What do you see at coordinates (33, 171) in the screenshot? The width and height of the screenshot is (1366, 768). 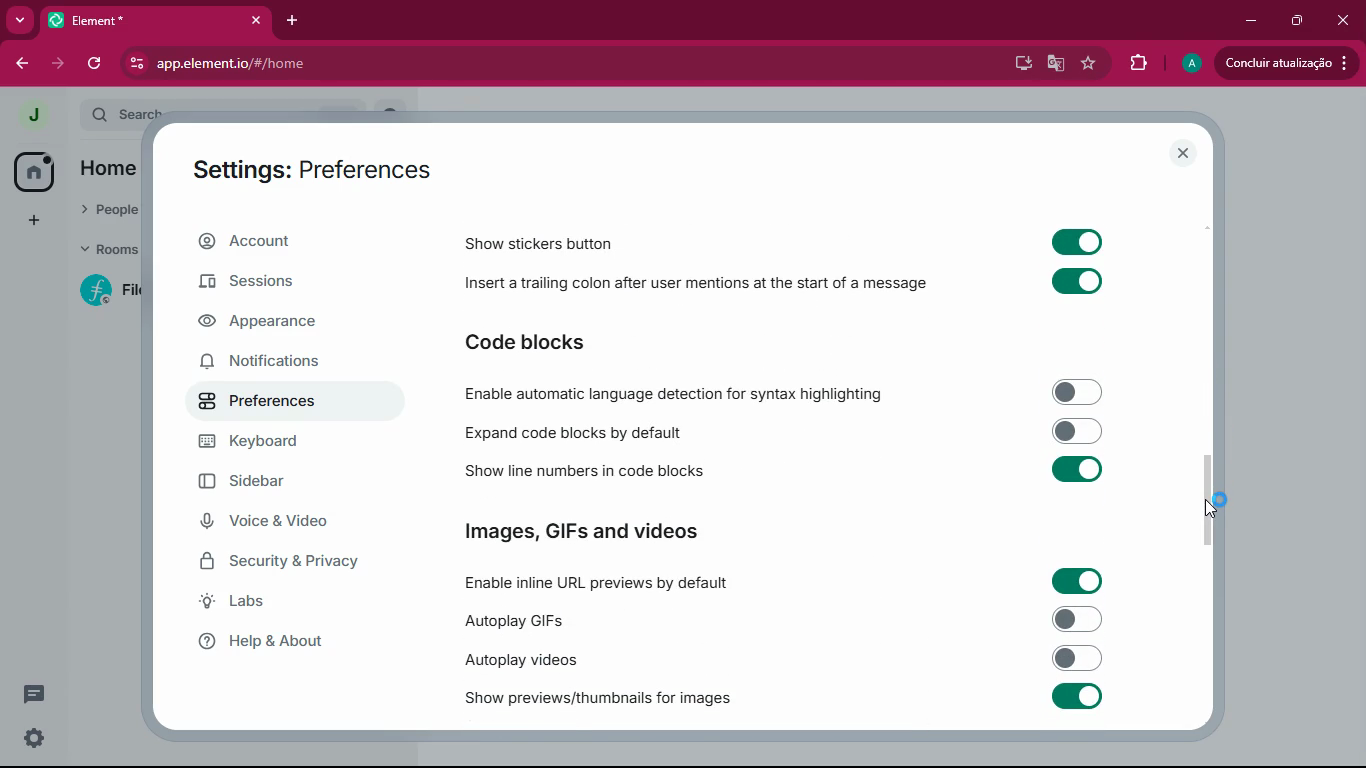 I see `home` at bounding box center [33, 171].